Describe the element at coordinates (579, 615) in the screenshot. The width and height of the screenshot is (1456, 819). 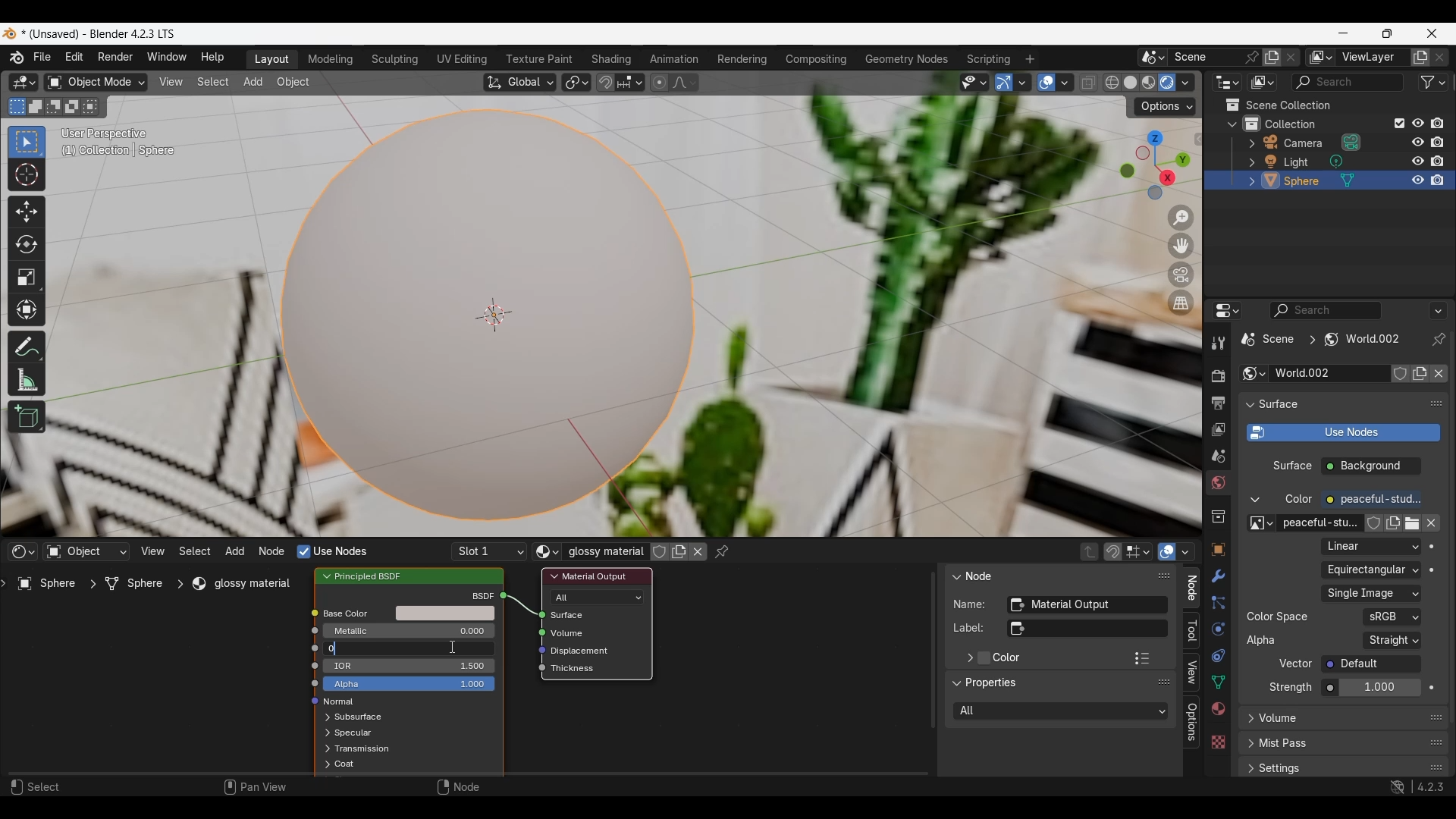
I see `Surface` at that location.